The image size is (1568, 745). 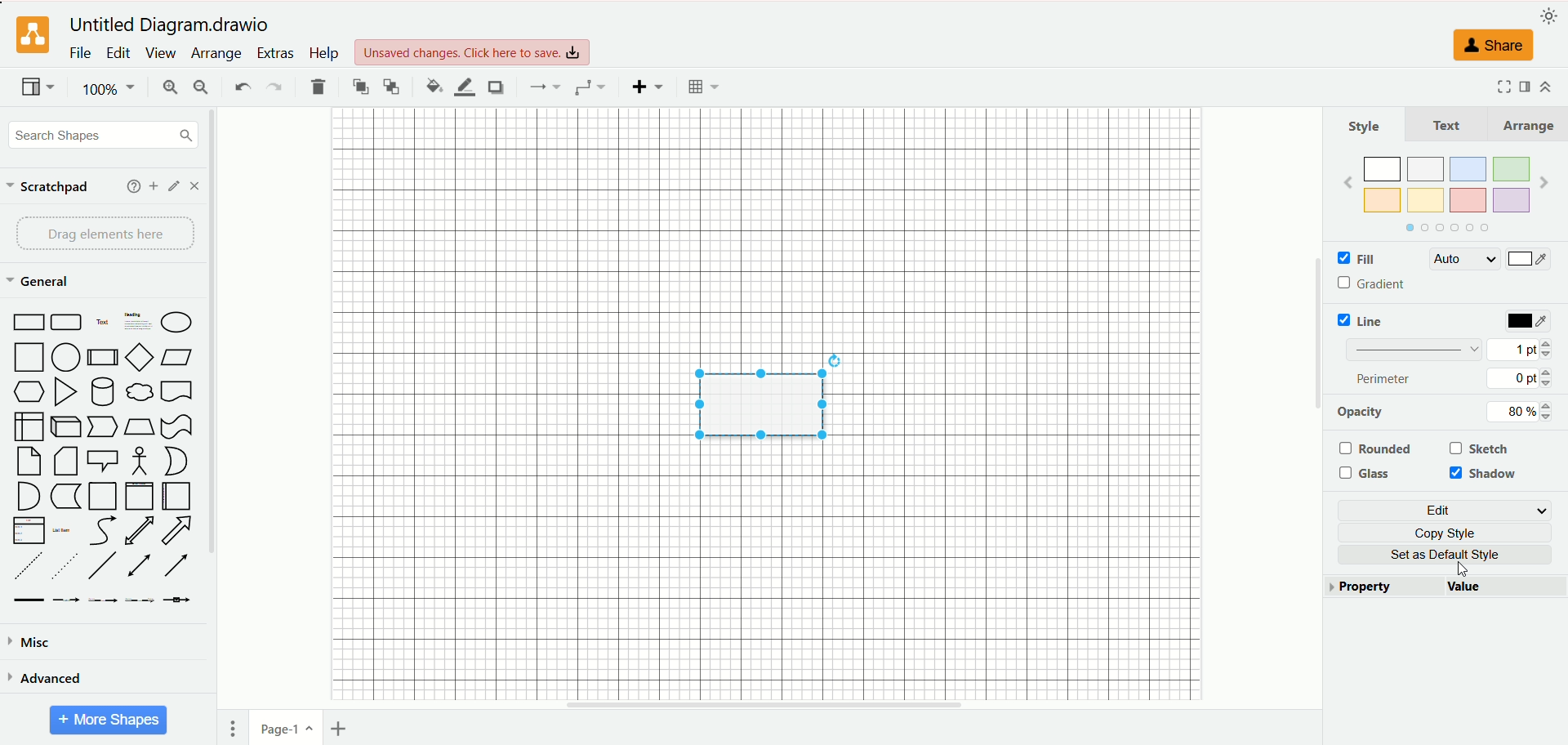 I want to click on 1 pt, so click(x=1520, y=348).